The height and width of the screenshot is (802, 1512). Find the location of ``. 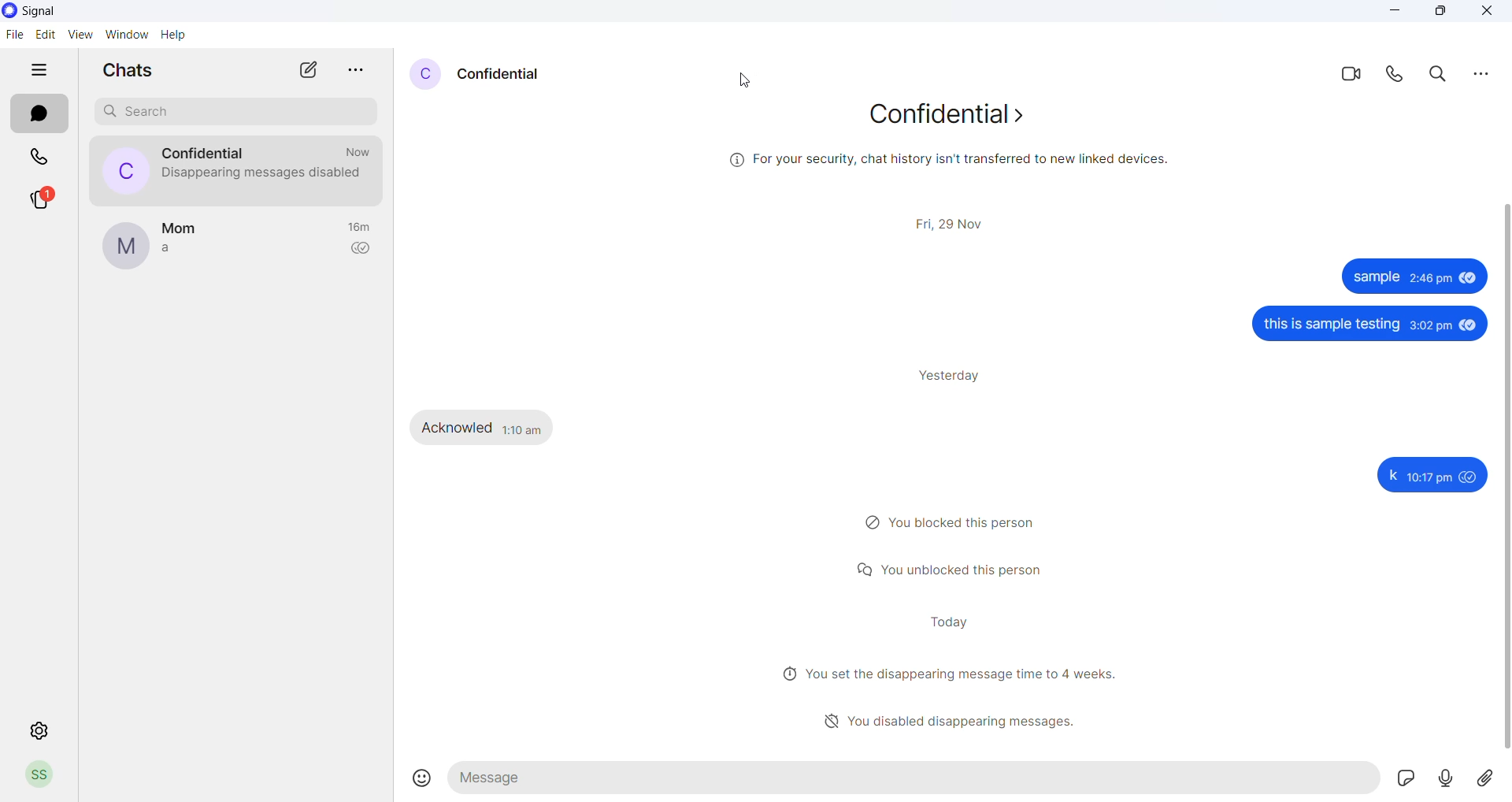

 is located at coordinates (1503, 470).